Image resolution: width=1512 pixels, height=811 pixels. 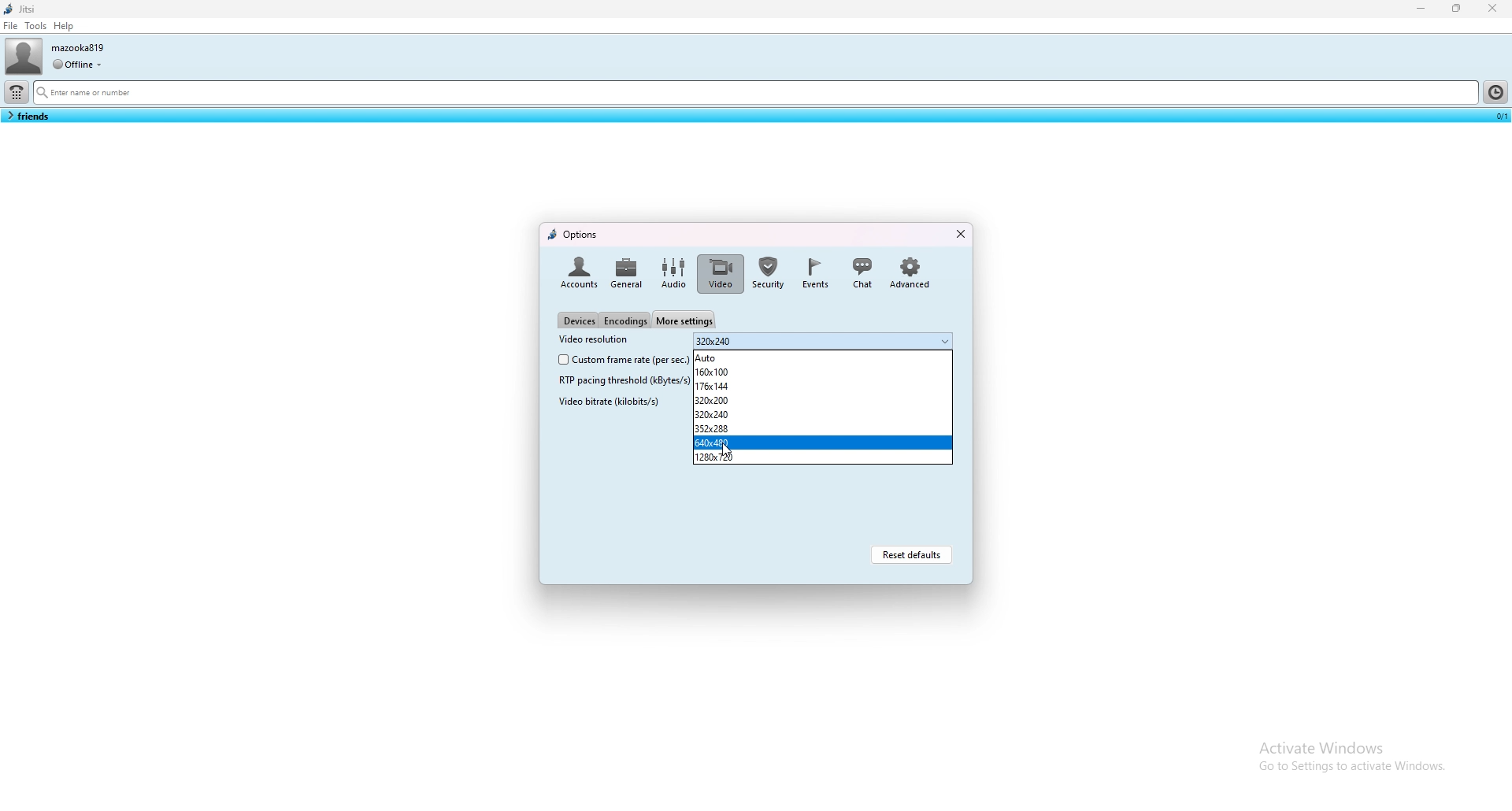 What do you see at coordinates (77, 64) in the screenshot?
I see `user status` at bounding box center [77, 64].